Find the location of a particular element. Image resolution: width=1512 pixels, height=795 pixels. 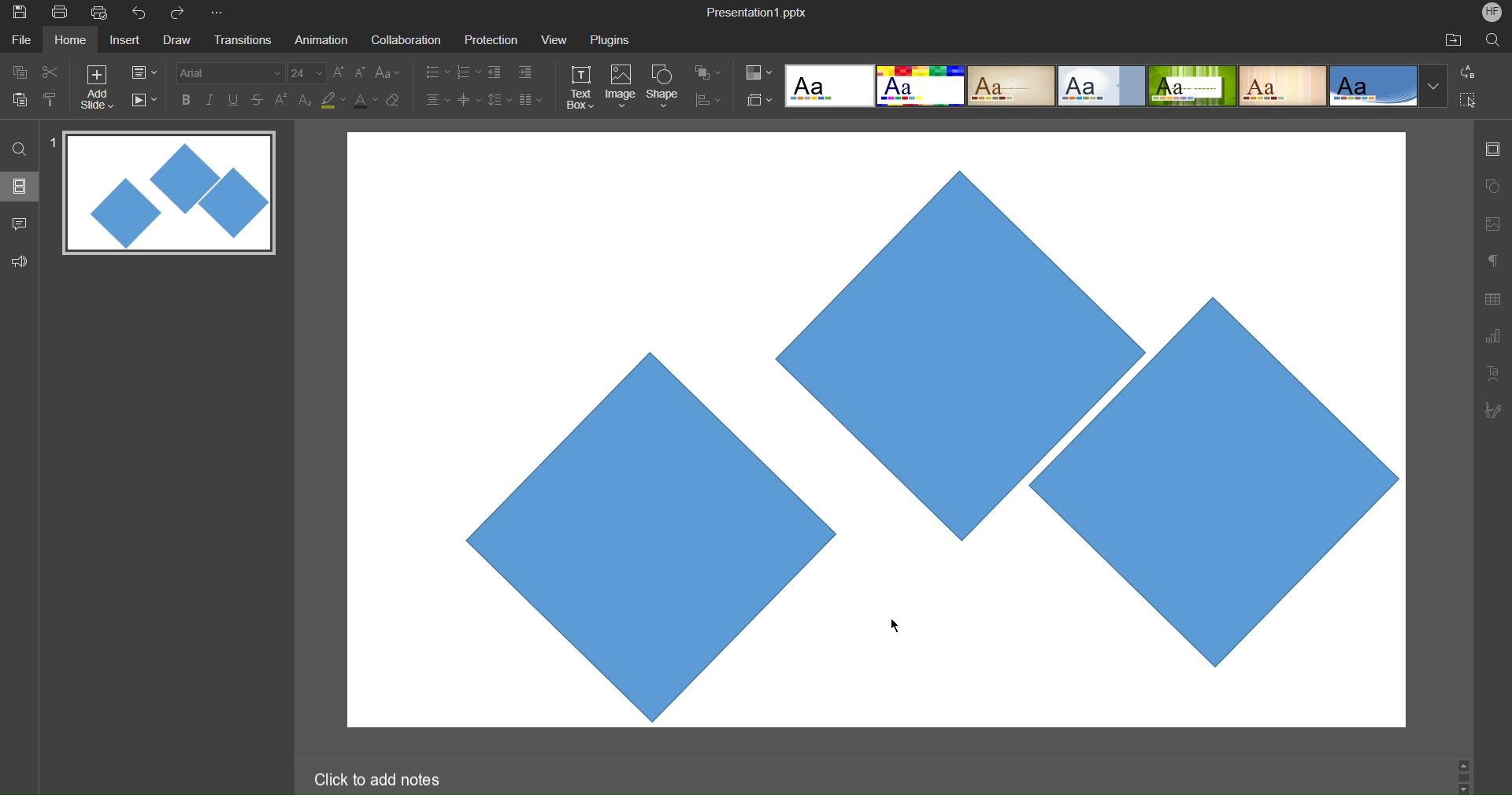

View is located at coordinates (550, 39).